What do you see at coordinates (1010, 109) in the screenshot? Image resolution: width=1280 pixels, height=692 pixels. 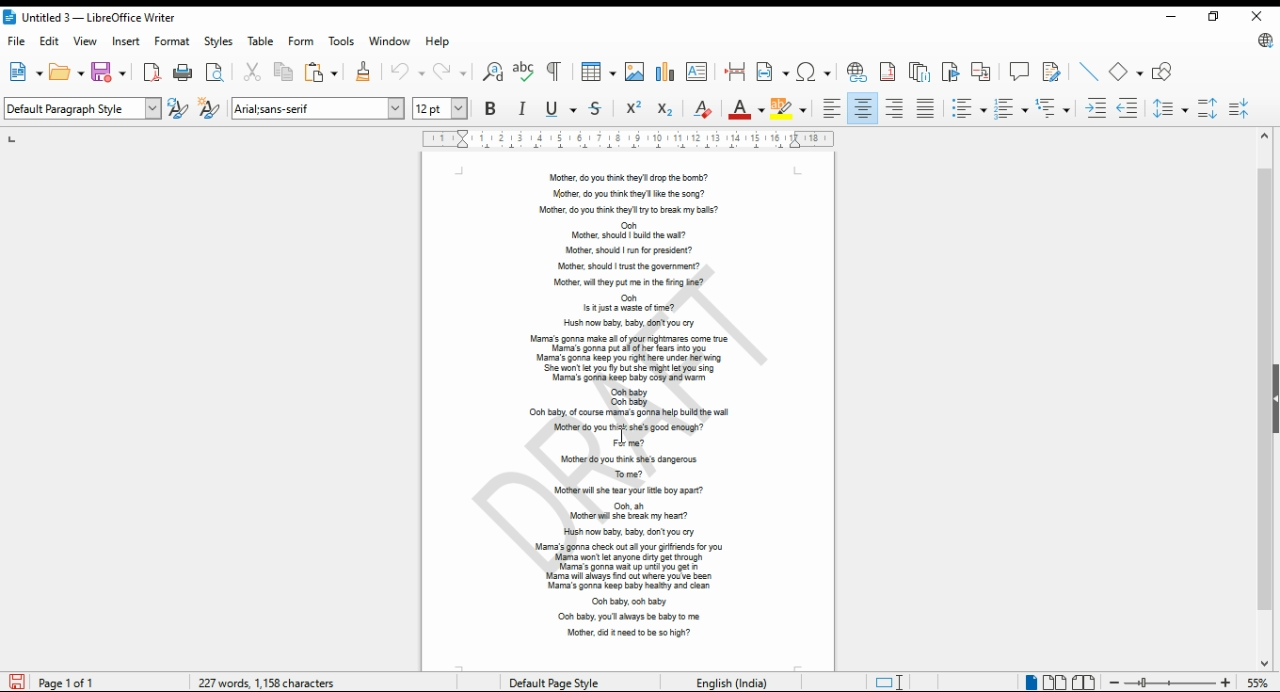 I see `toggle ordered list` at bounding box center [1010, 109].